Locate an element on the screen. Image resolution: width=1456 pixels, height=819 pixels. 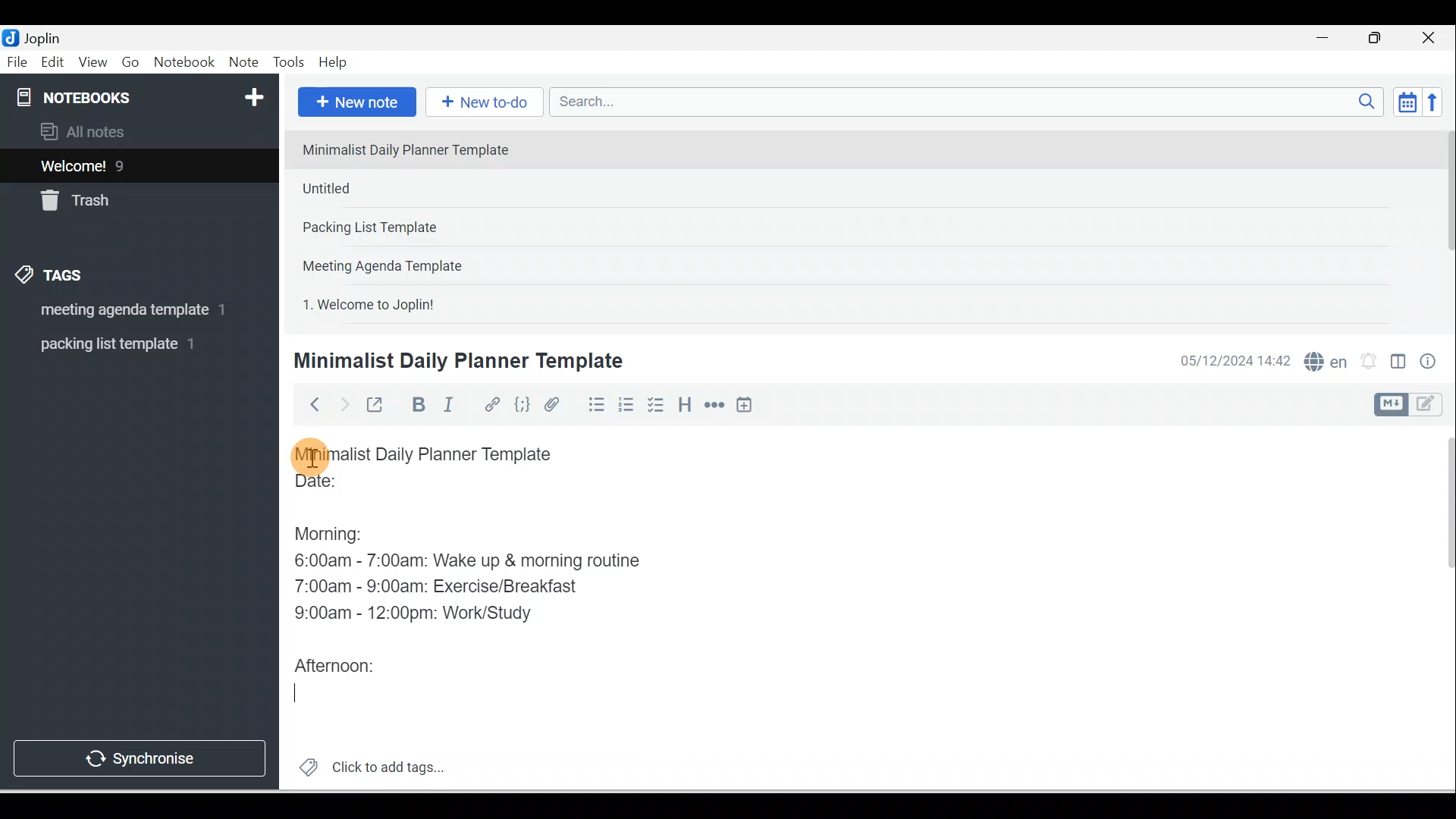
Notes is located at coordinates (128, 162).